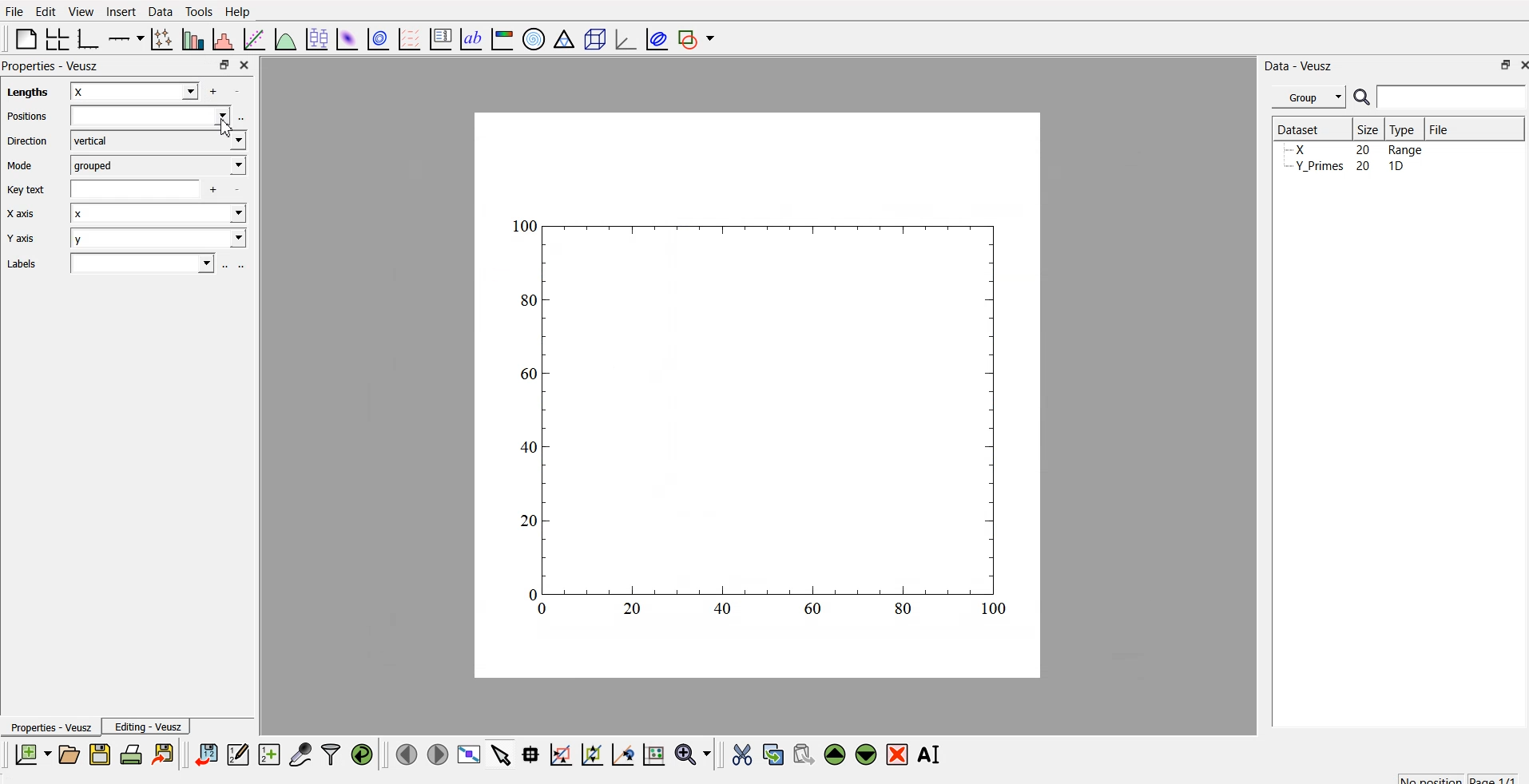  I want to click on reload linked dataset, so click(362, 752).